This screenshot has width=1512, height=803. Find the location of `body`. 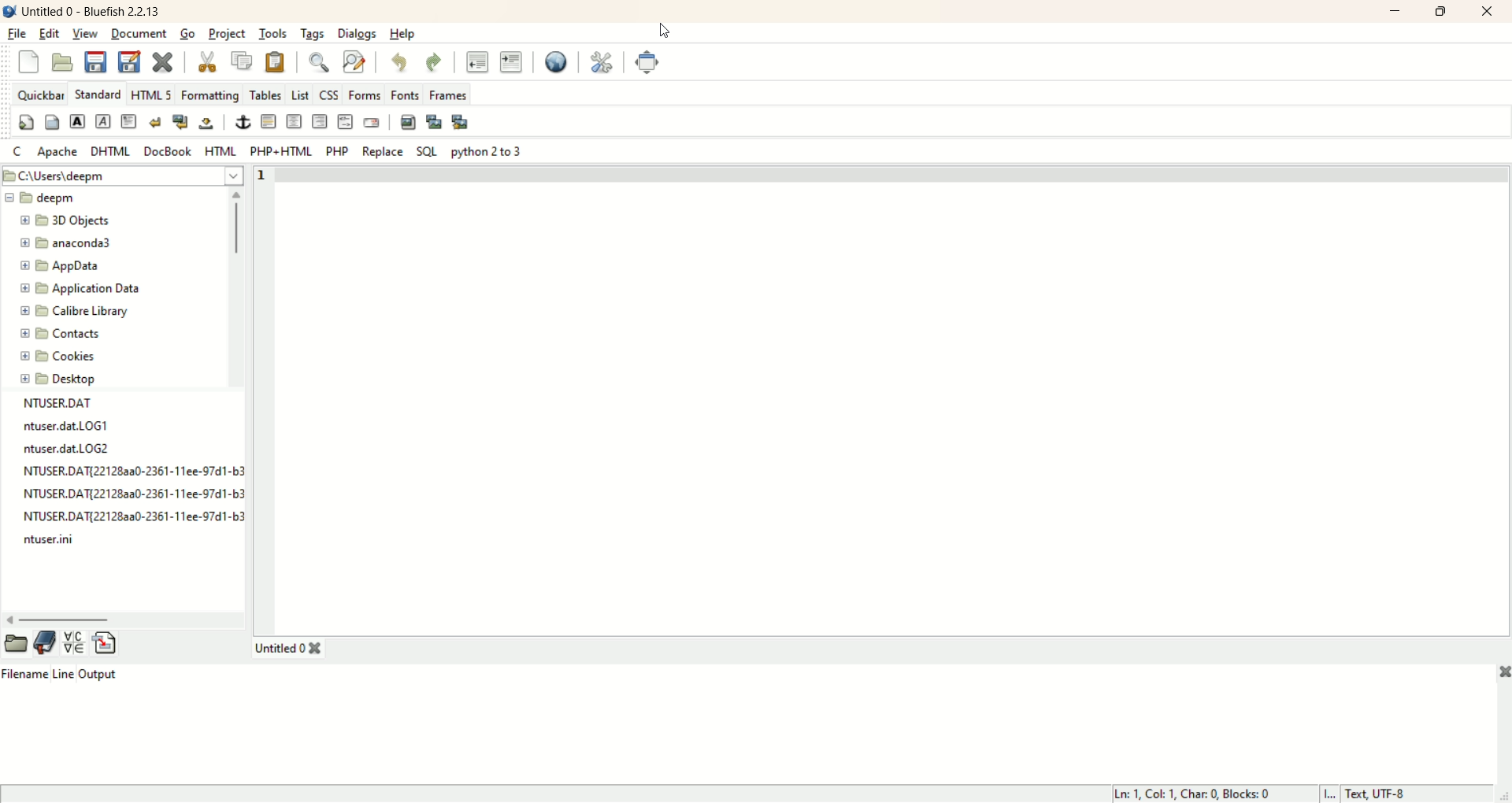

body is located at coordinates (54, 122).